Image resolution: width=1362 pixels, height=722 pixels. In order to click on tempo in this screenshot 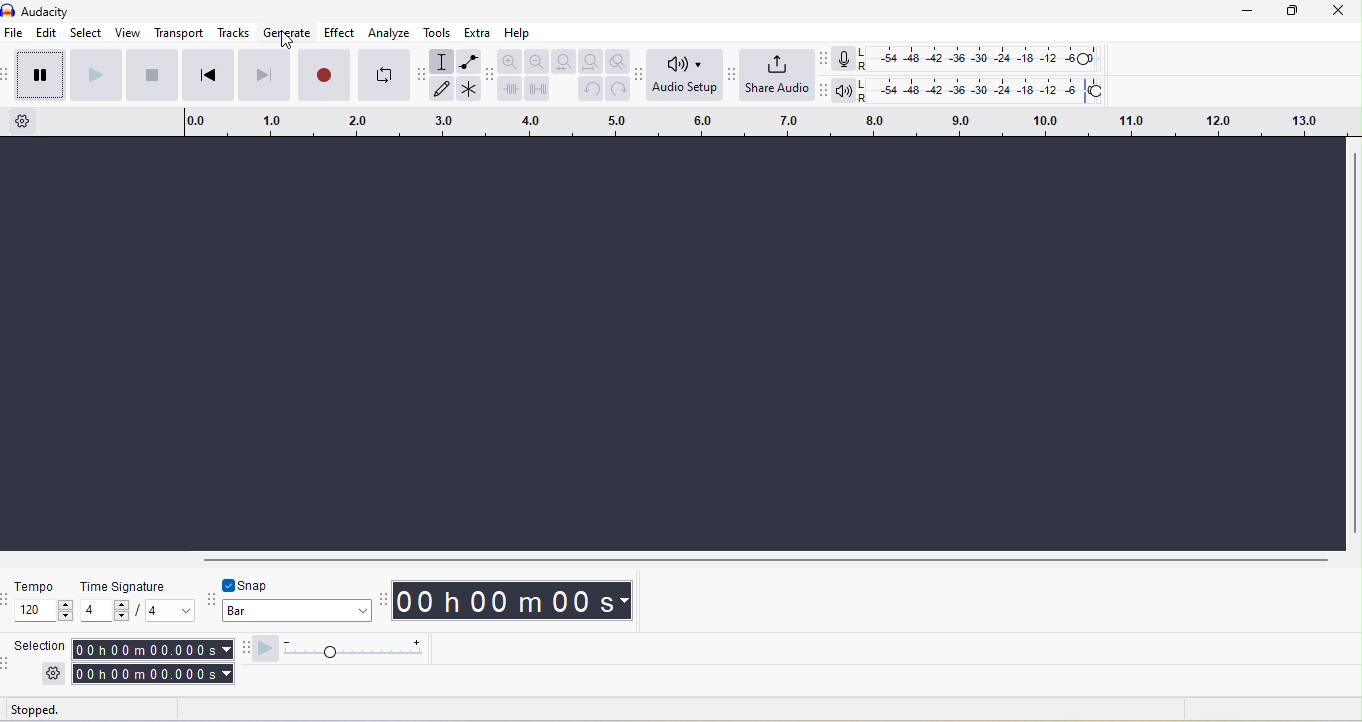, I will do `click(35, 586)`.